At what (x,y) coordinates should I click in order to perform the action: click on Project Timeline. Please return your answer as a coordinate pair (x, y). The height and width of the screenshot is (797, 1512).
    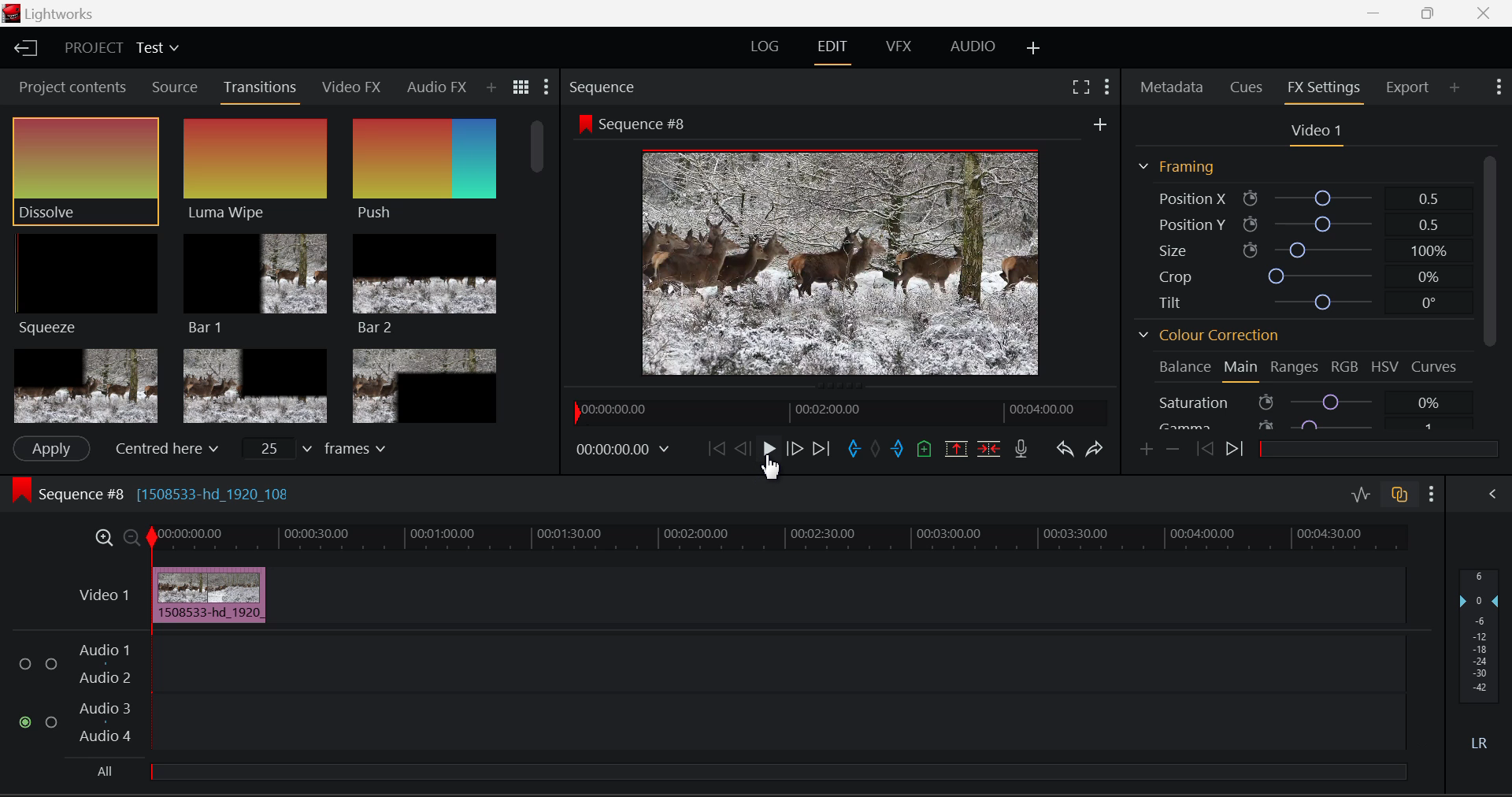
    Looking at the image, I should click on (775, 536).